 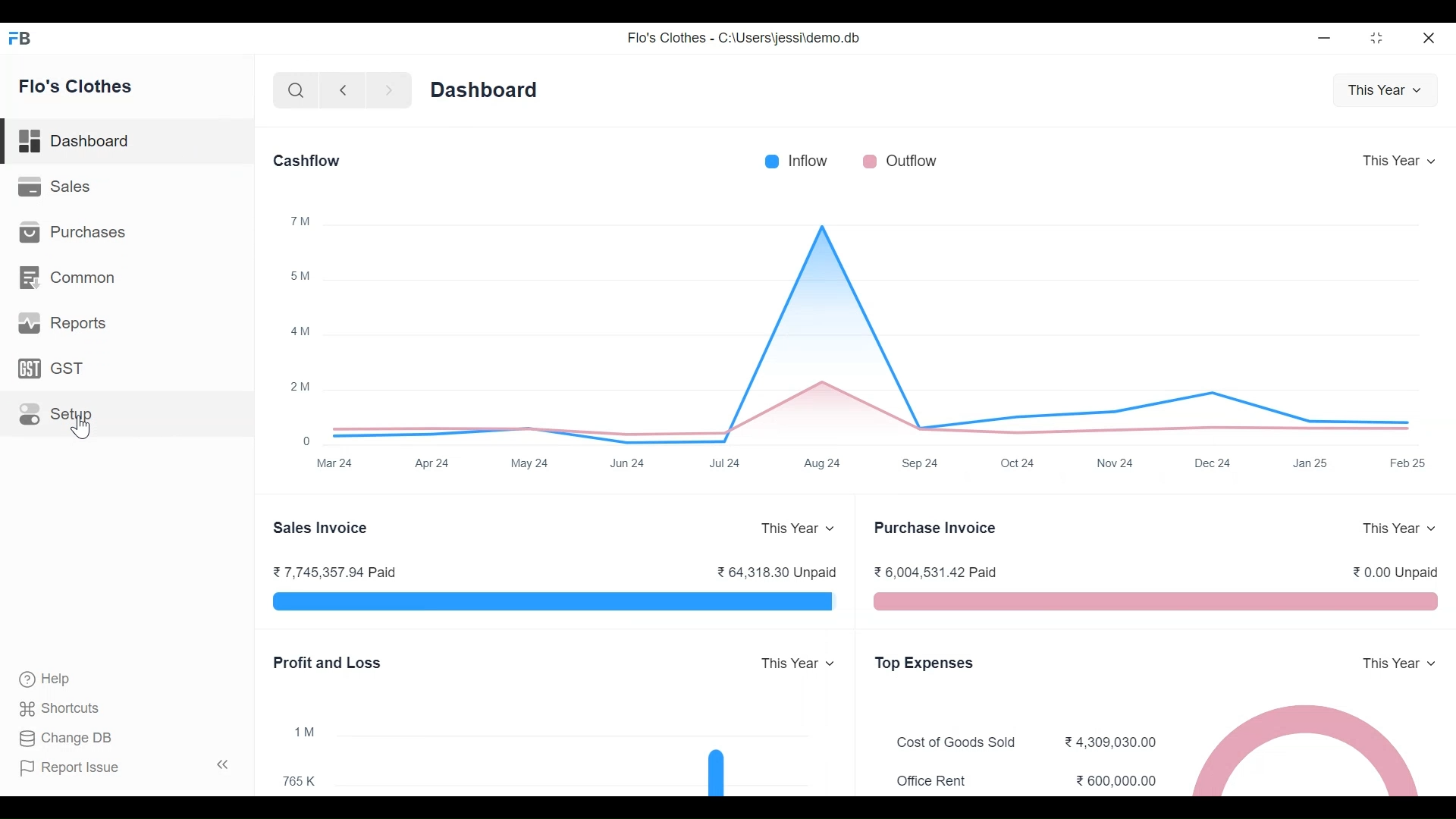 I want to click on oct 24, so click(x=1019, y=463).